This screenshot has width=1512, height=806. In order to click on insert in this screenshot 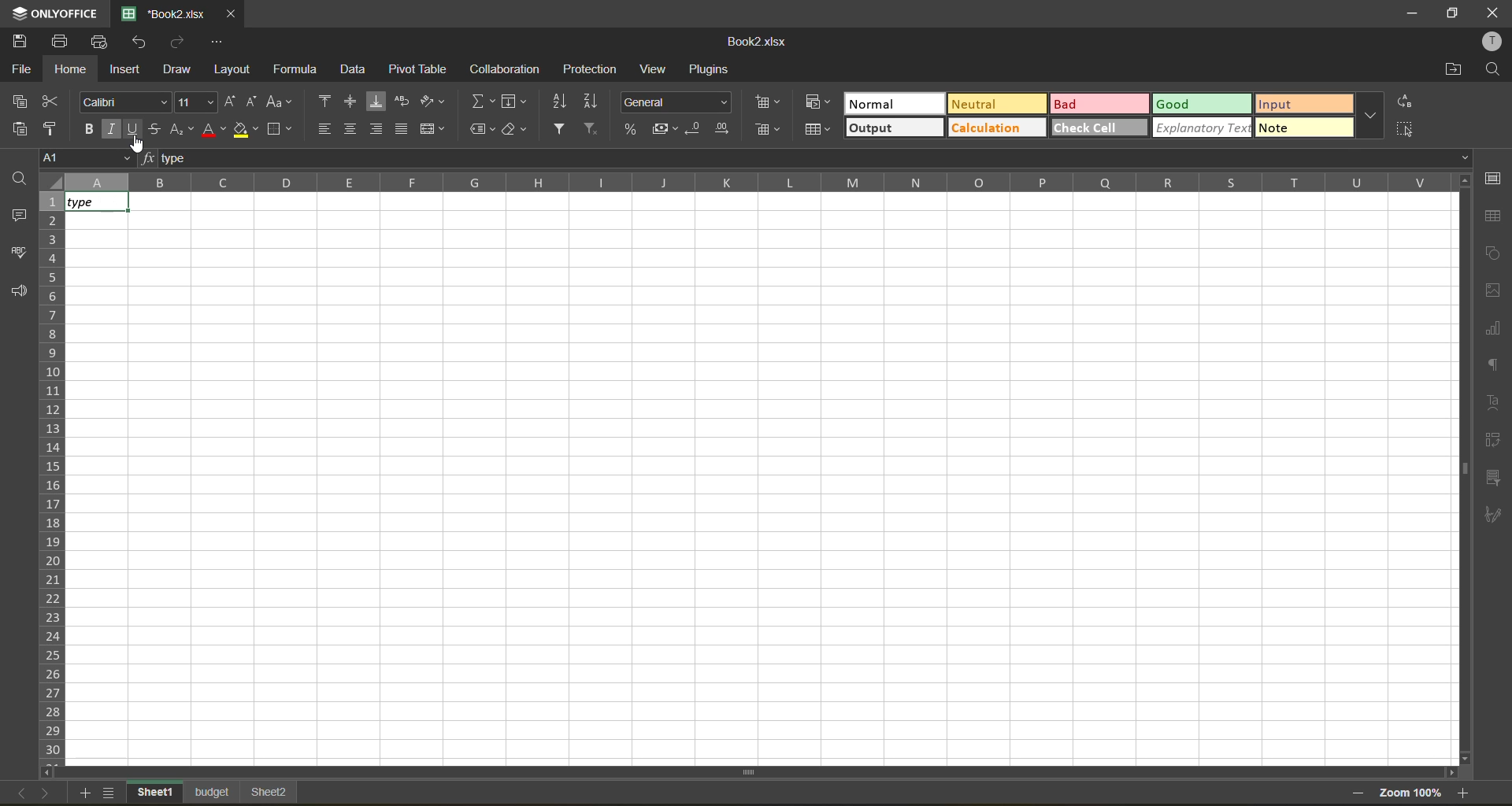, I will do `click(128, 71)`.